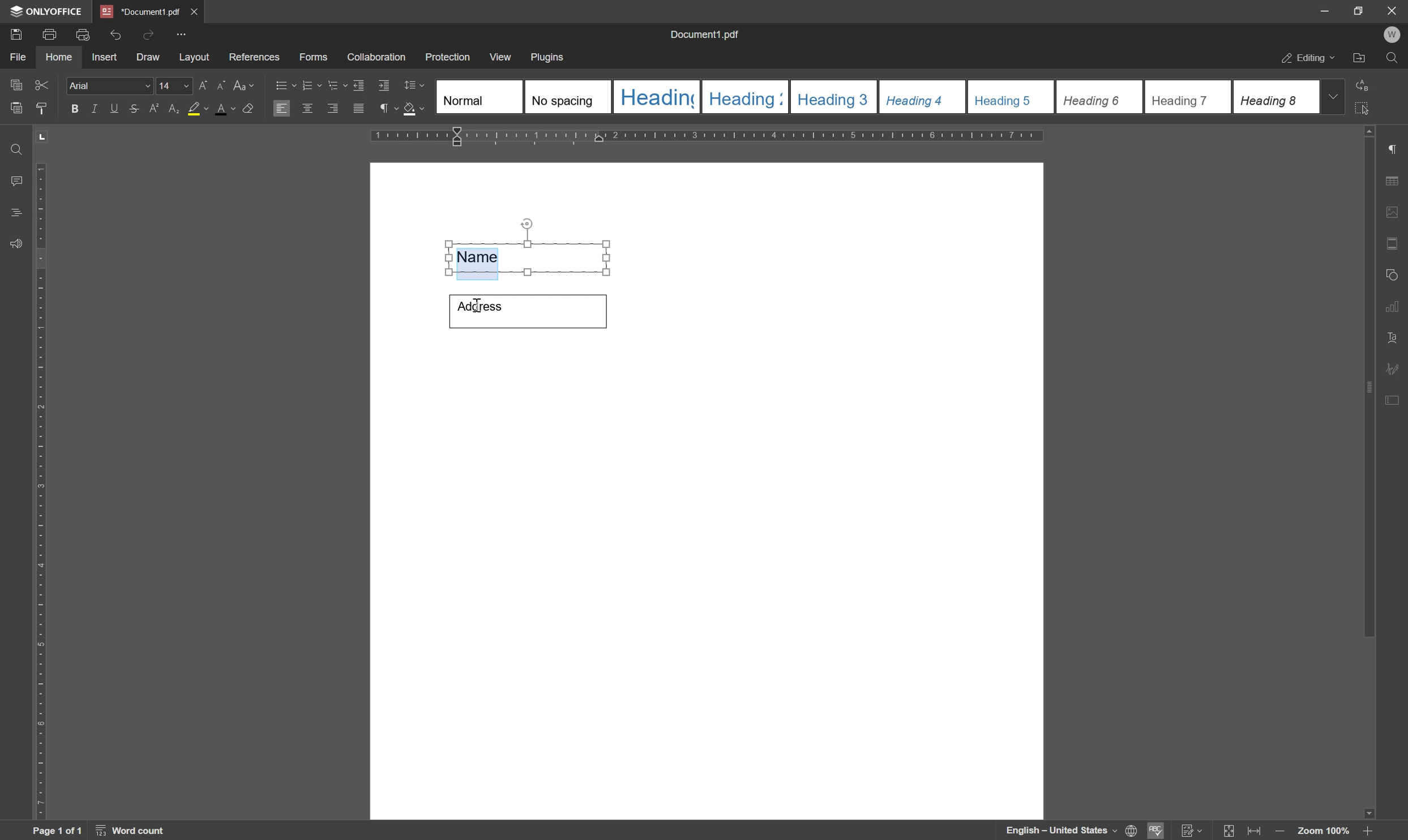 Image resolution: width=1408 pixels, height=840 pixels. Describe the element at coordinates (1354, 10) in the screenshot. I see `restore down` at that location.